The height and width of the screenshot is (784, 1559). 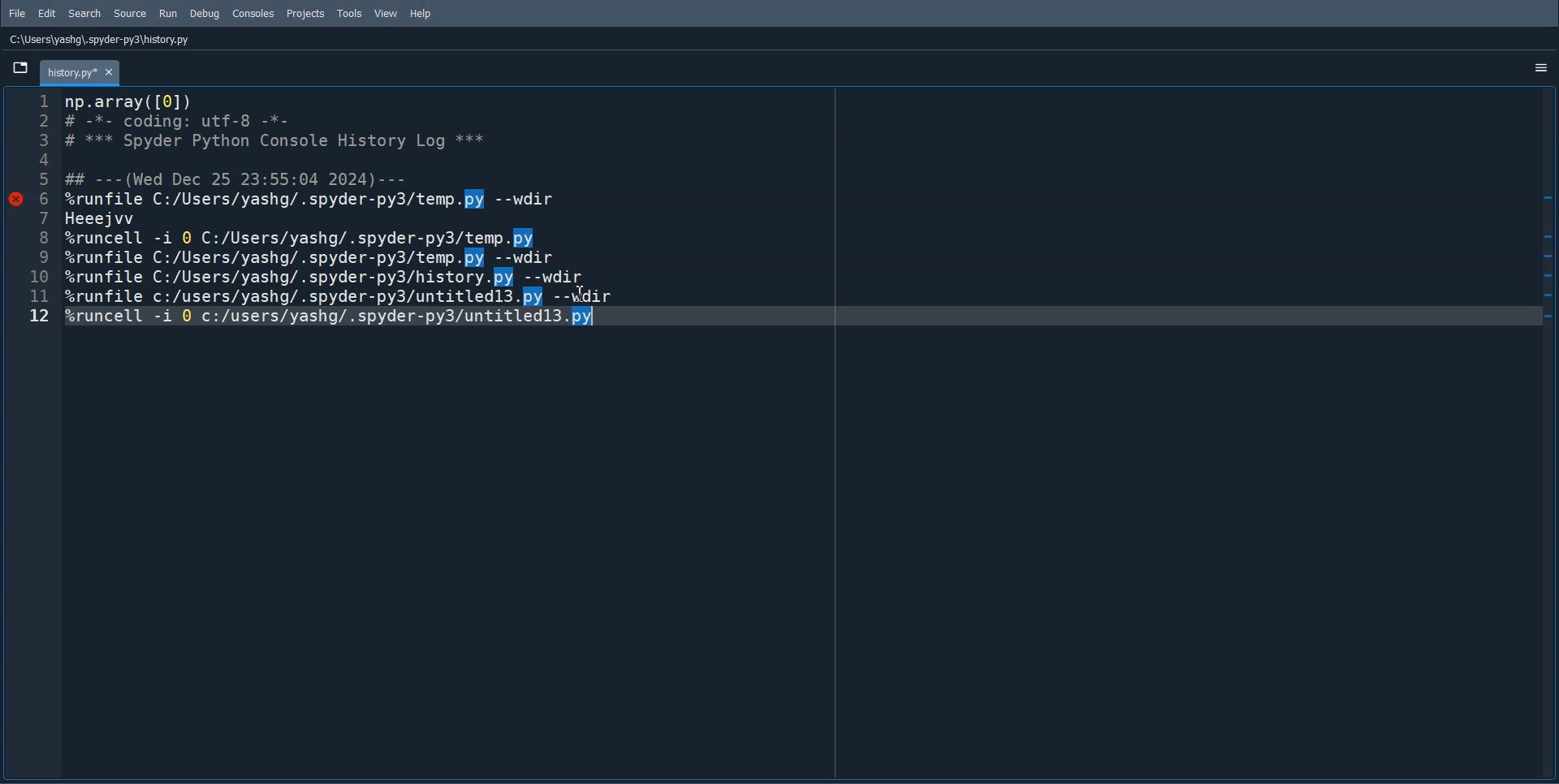 What do you see at coordinates (420, 14) in the screenshot?
I see `Help` at bounding box center [420, 14].